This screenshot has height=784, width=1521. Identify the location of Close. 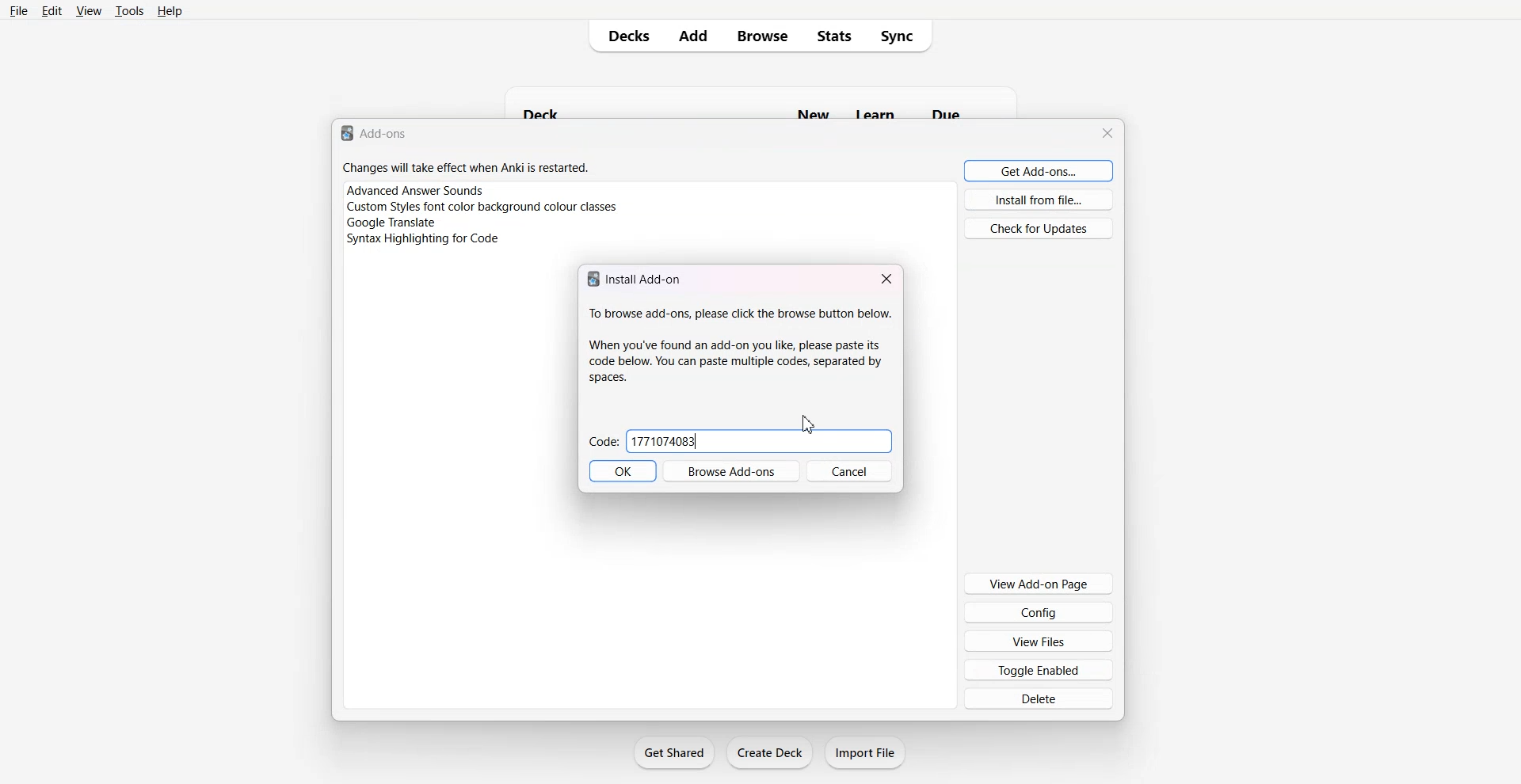
(886, 277).